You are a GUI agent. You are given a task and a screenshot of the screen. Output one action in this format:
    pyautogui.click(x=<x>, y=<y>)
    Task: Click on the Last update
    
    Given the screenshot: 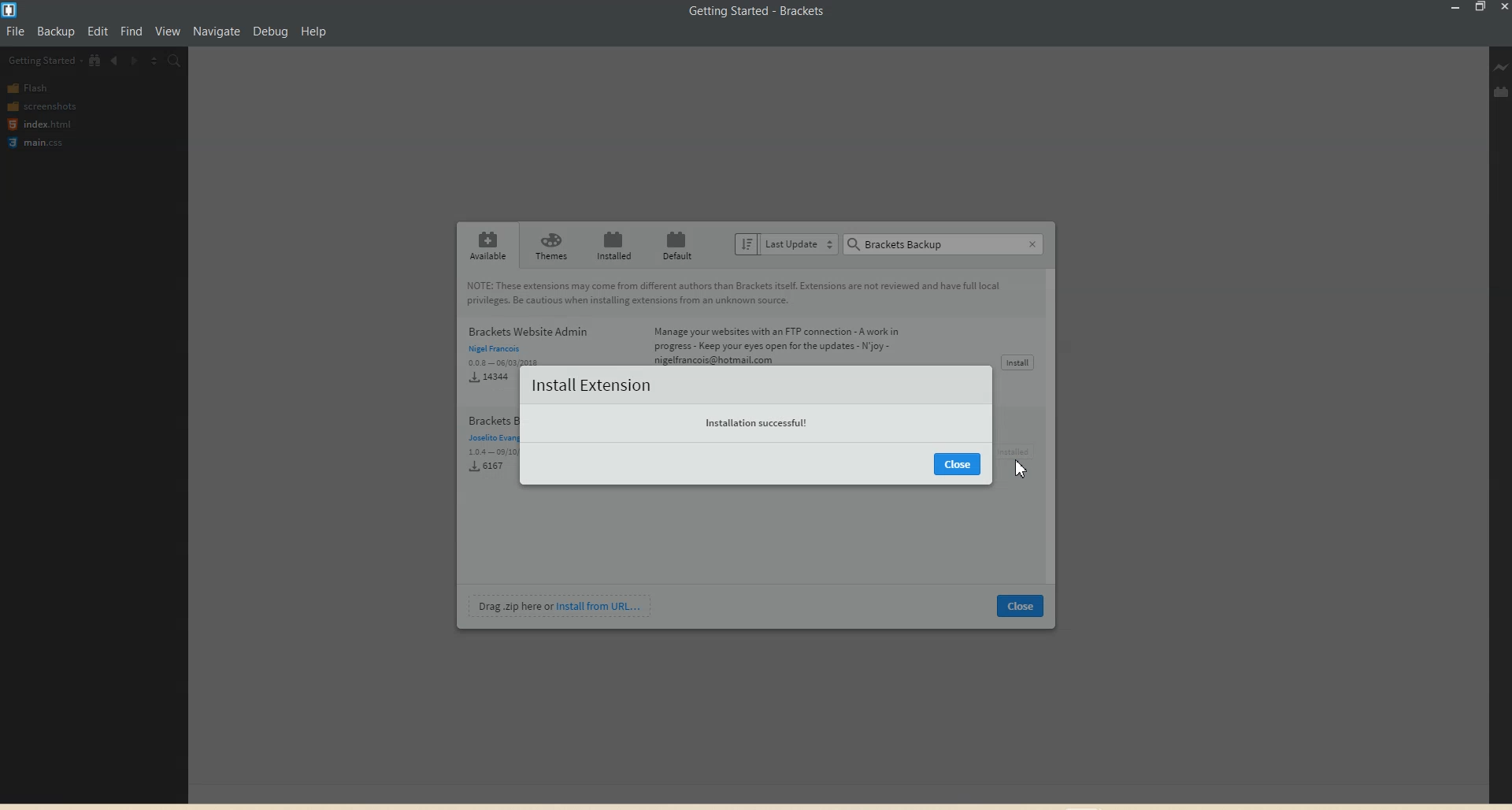 What is the action you would take?
    pyautogui.click(x=785, y=243)
    